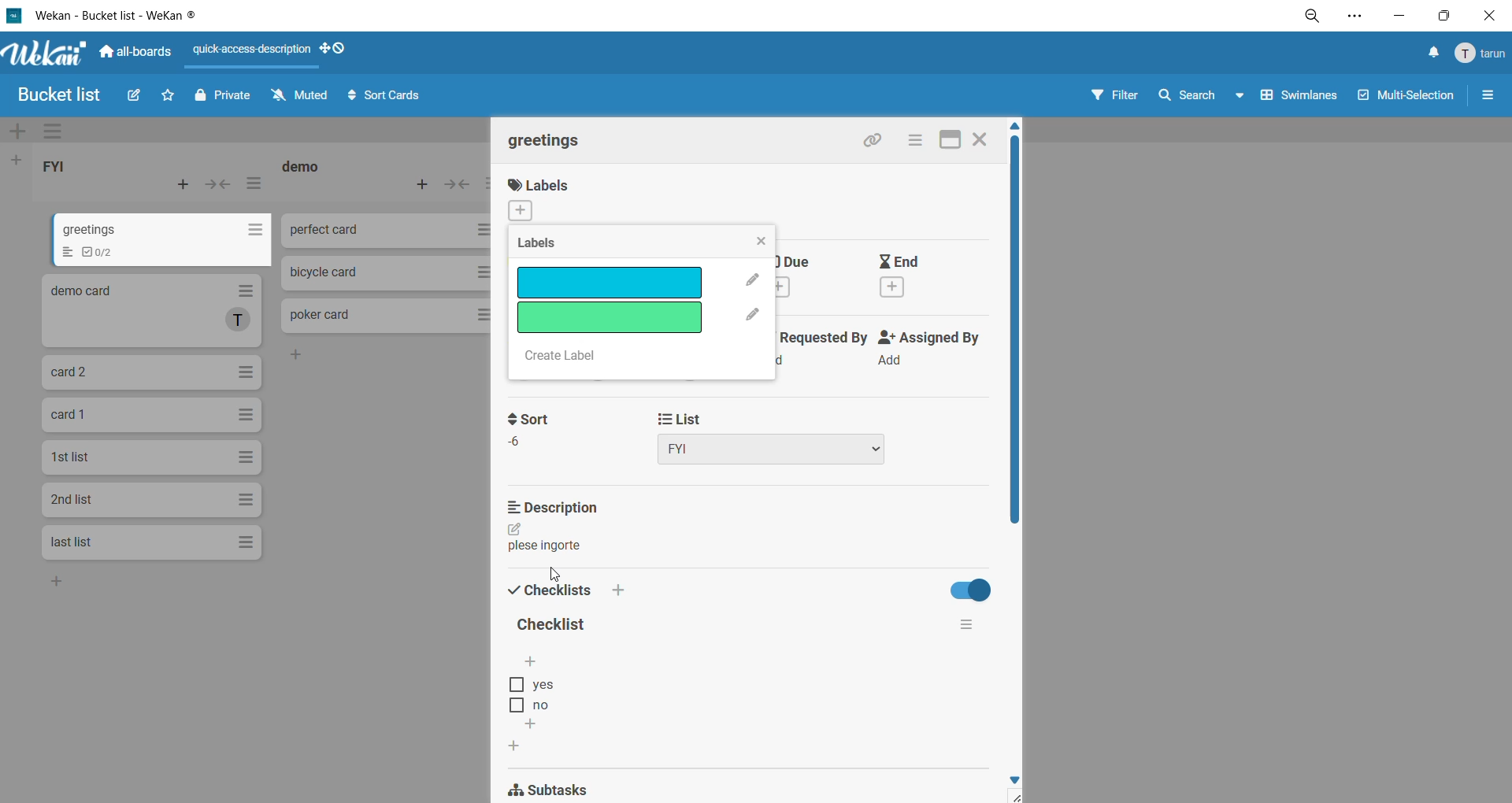 The image size is (1512, 803). What do you see at coordinates (458, 187) in the screenshot?
I see `collapse` at bounding box center [458, 187].